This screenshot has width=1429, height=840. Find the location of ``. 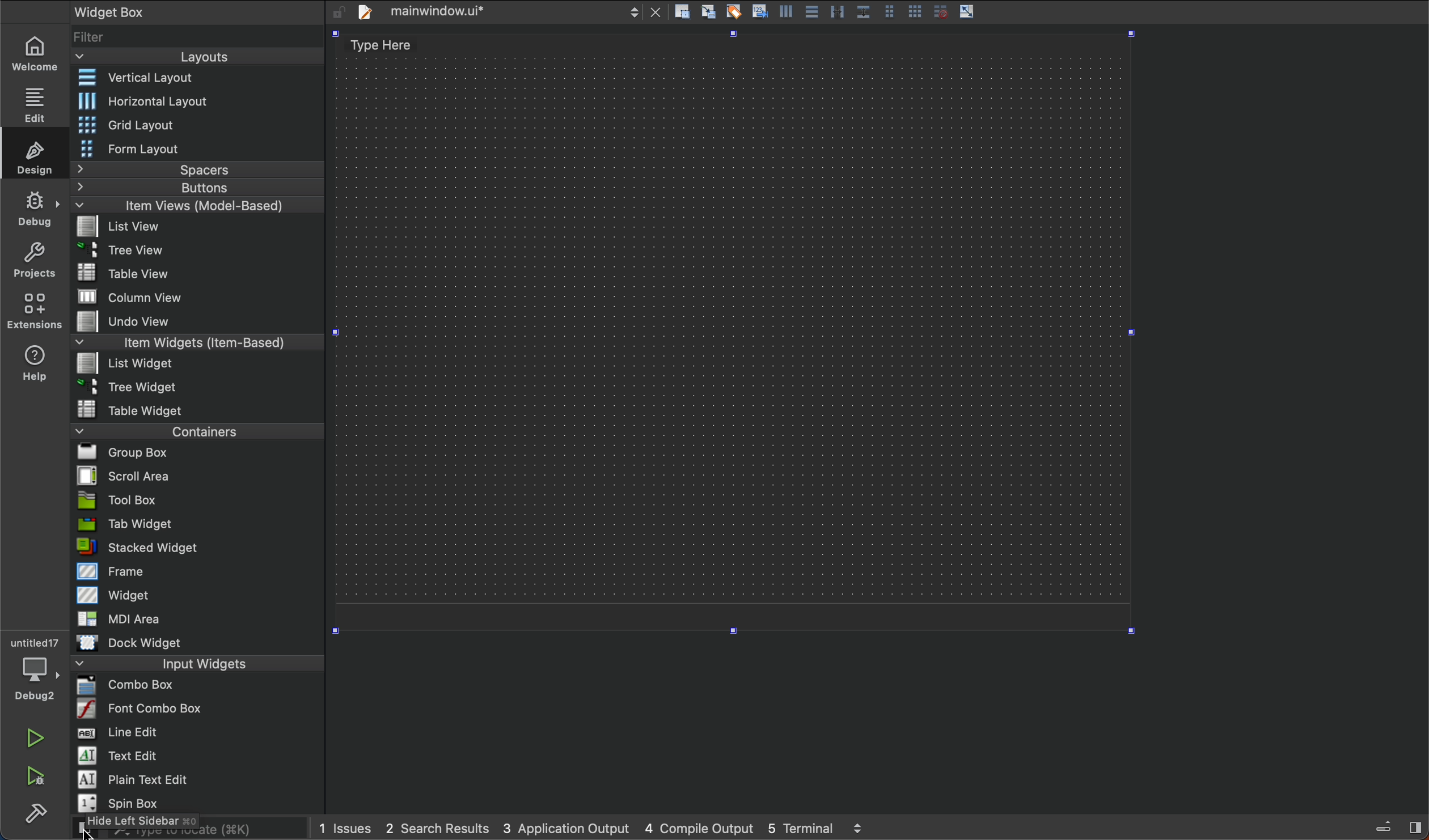

 is located at coordinates (859, 824).